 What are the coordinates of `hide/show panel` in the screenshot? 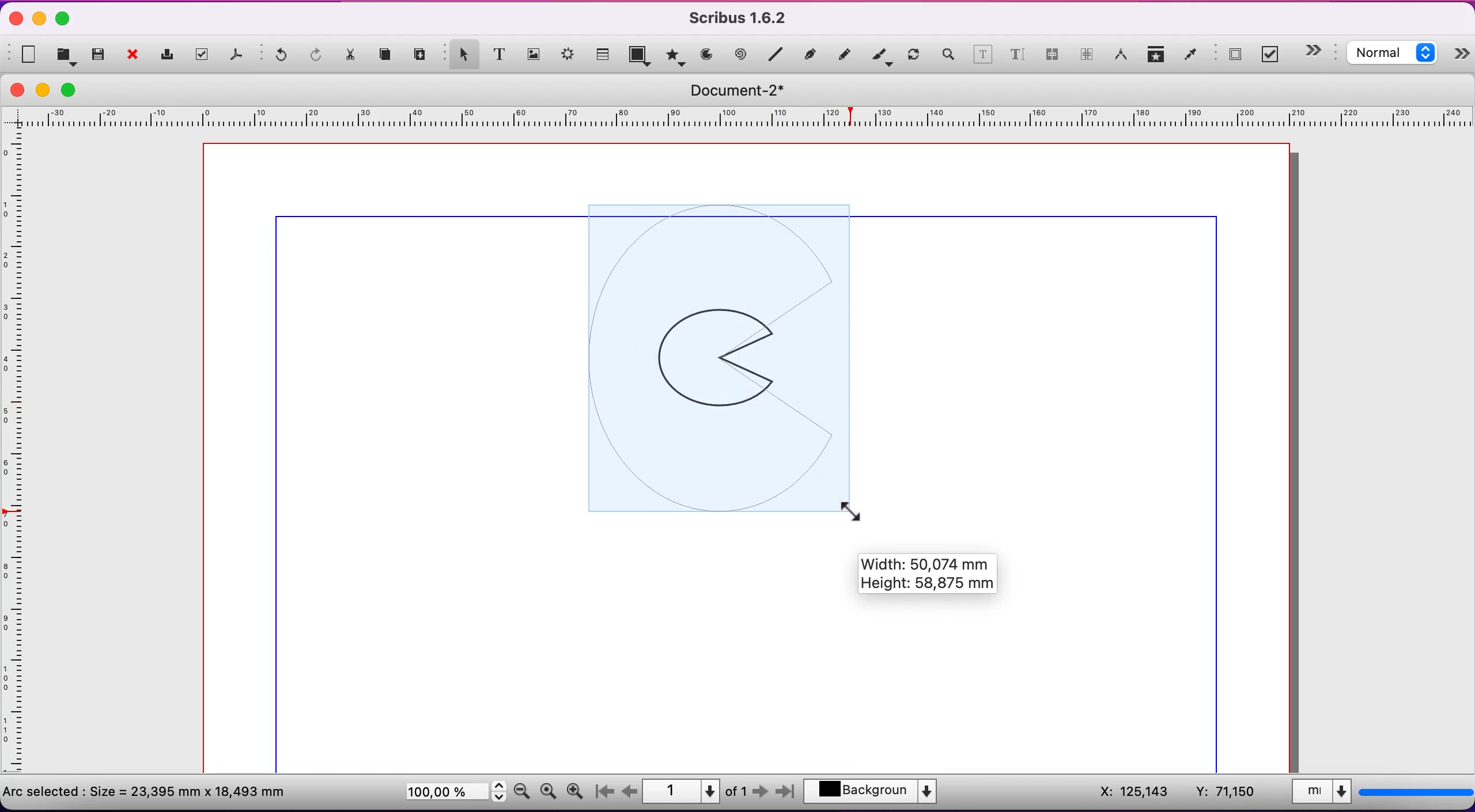 It's located at (1462, 56).